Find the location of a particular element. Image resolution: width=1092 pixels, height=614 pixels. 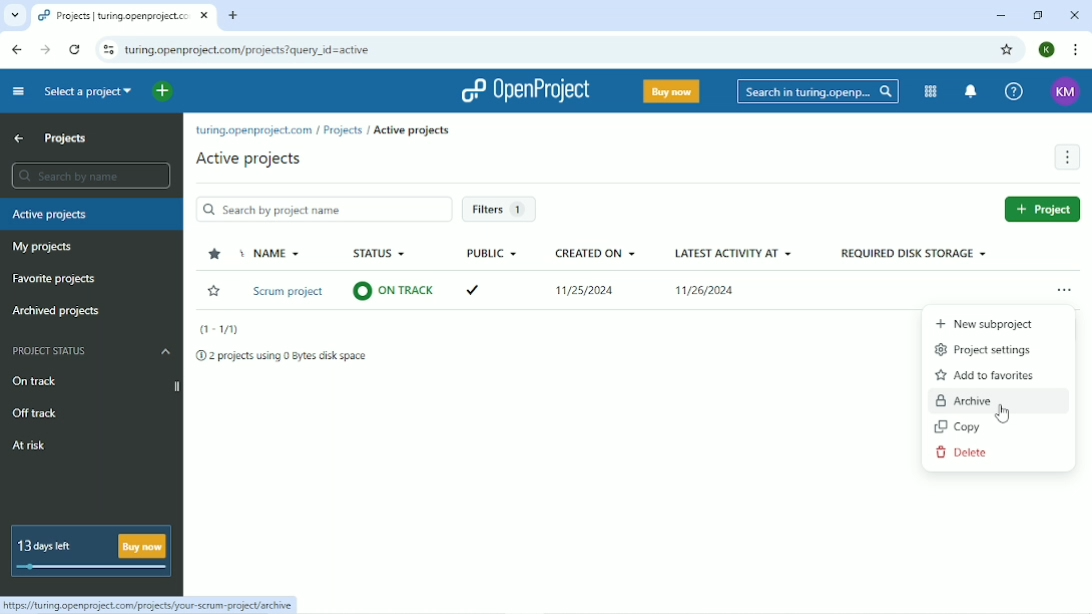

days left is located at coordinates (89, 568).